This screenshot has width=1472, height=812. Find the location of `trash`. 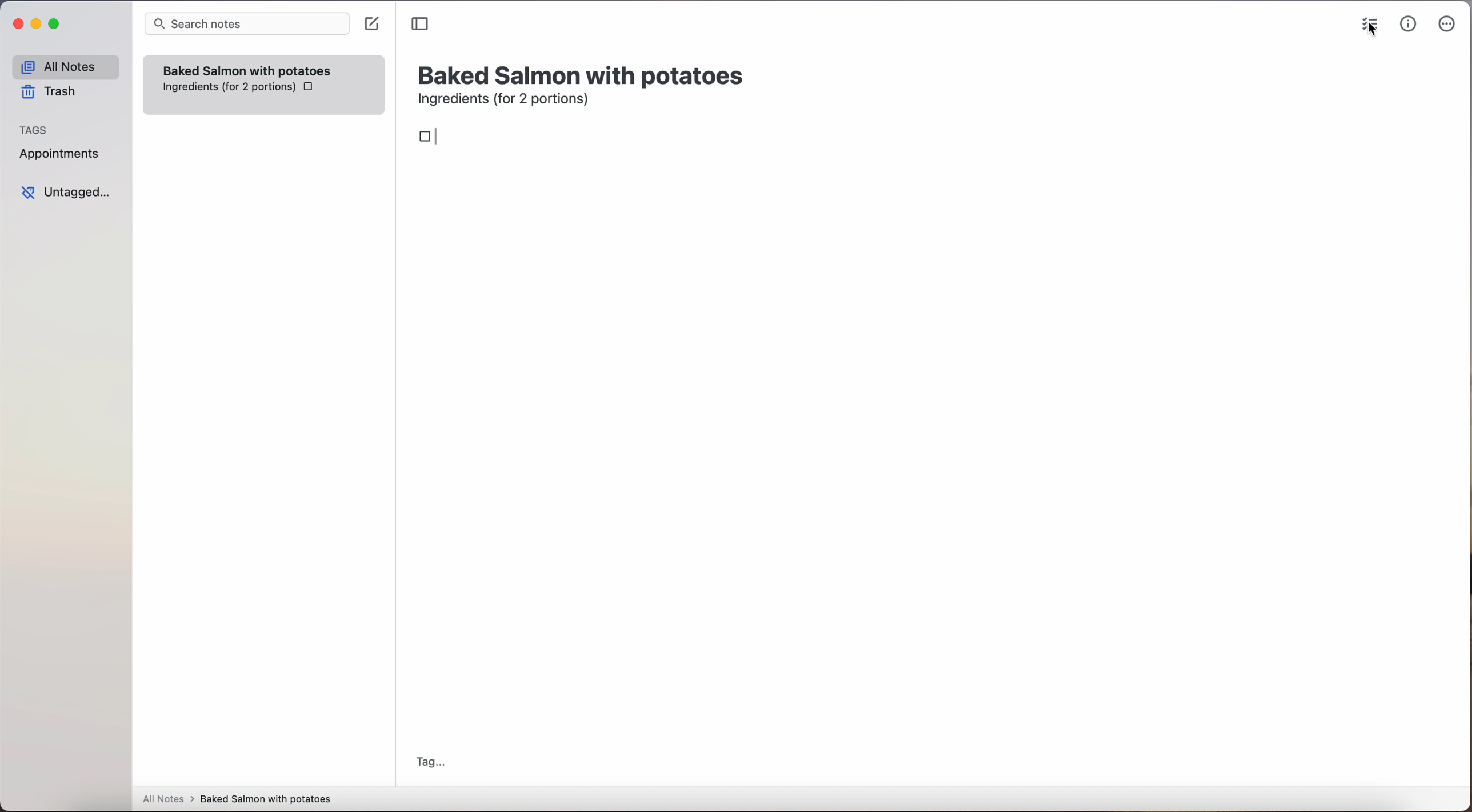

trash is located at coordinates (53, 92).